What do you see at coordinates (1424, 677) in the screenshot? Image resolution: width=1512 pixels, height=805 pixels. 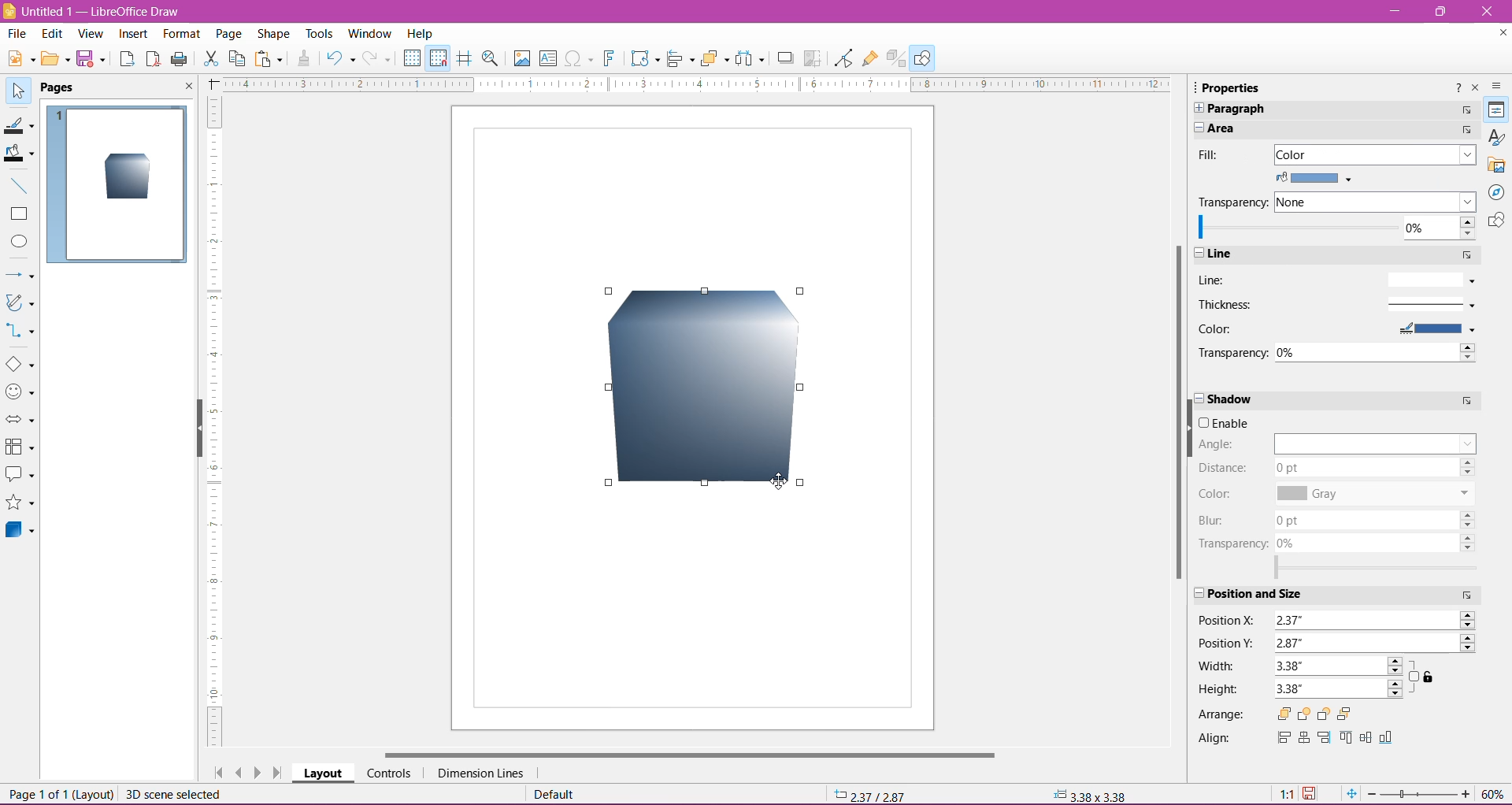 I see `Keep ratio` at bounding box center [1424, 677].